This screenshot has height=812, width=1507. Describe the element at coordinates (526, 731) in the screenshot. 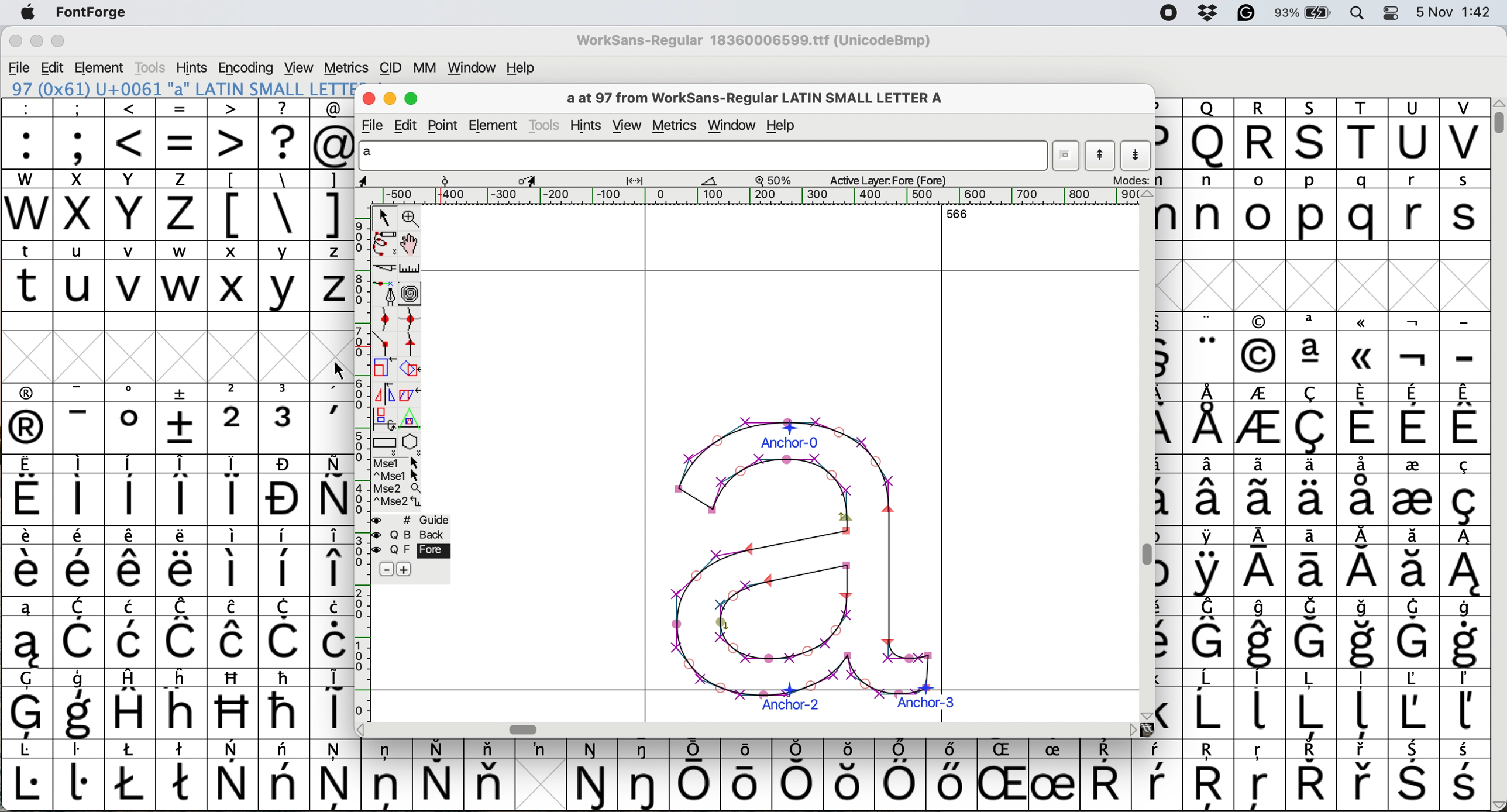

I see `horizontal scroll bar` at that location.